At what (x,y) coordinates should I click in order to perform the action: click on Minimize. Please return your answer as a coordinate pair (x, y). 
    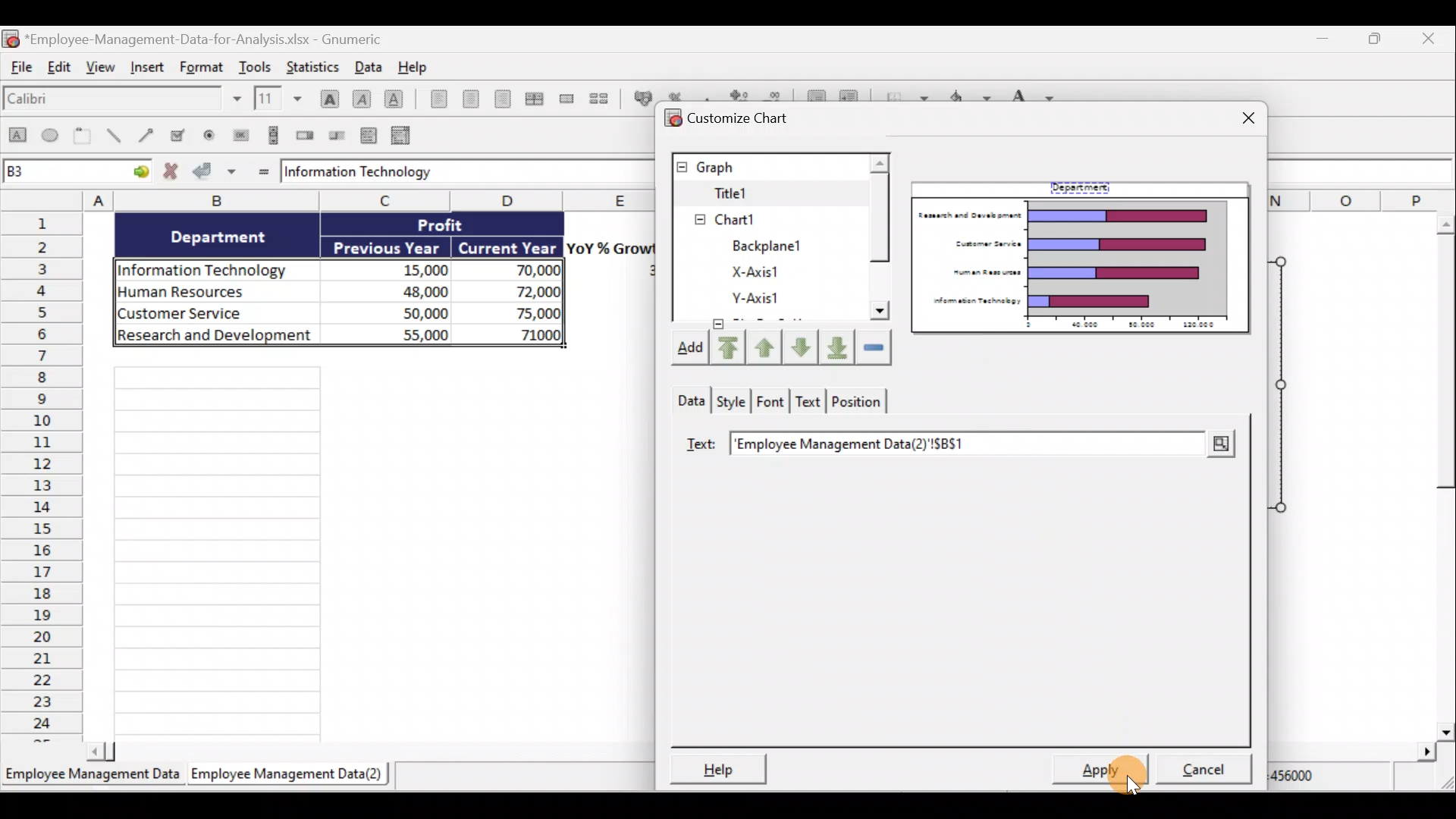
    Looking at the image, I should click on (1321, 40).